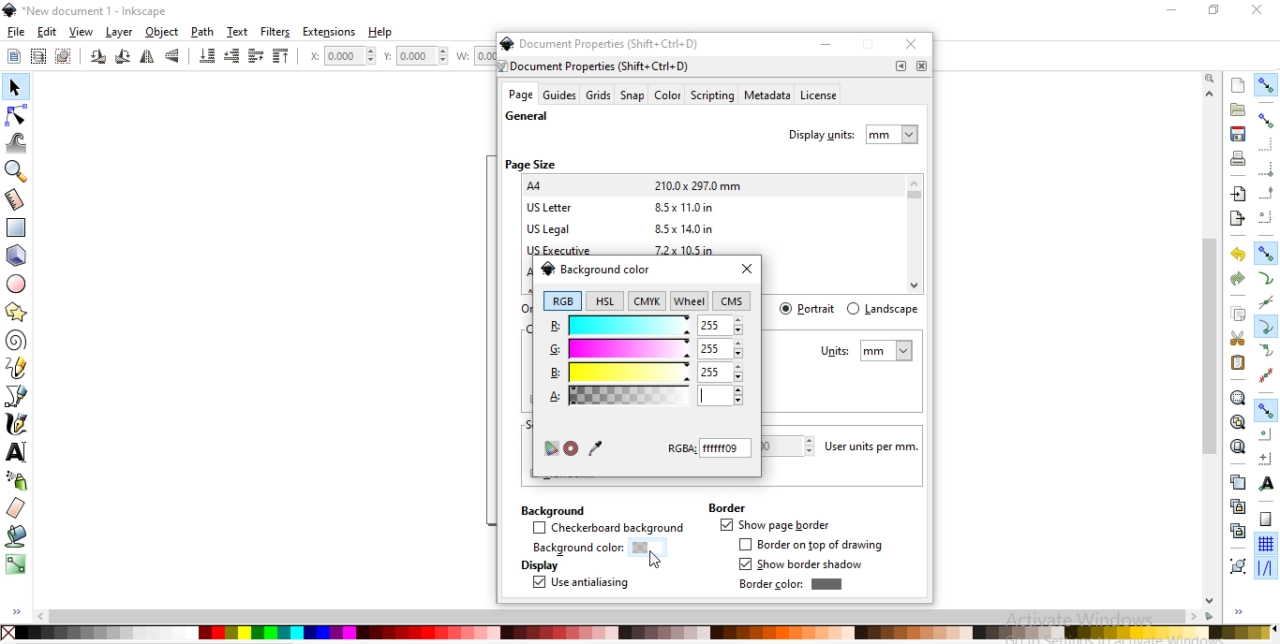 This screenshot has height=644, width=1280. I want to click on edit paths by nodes, so click(15, 118).